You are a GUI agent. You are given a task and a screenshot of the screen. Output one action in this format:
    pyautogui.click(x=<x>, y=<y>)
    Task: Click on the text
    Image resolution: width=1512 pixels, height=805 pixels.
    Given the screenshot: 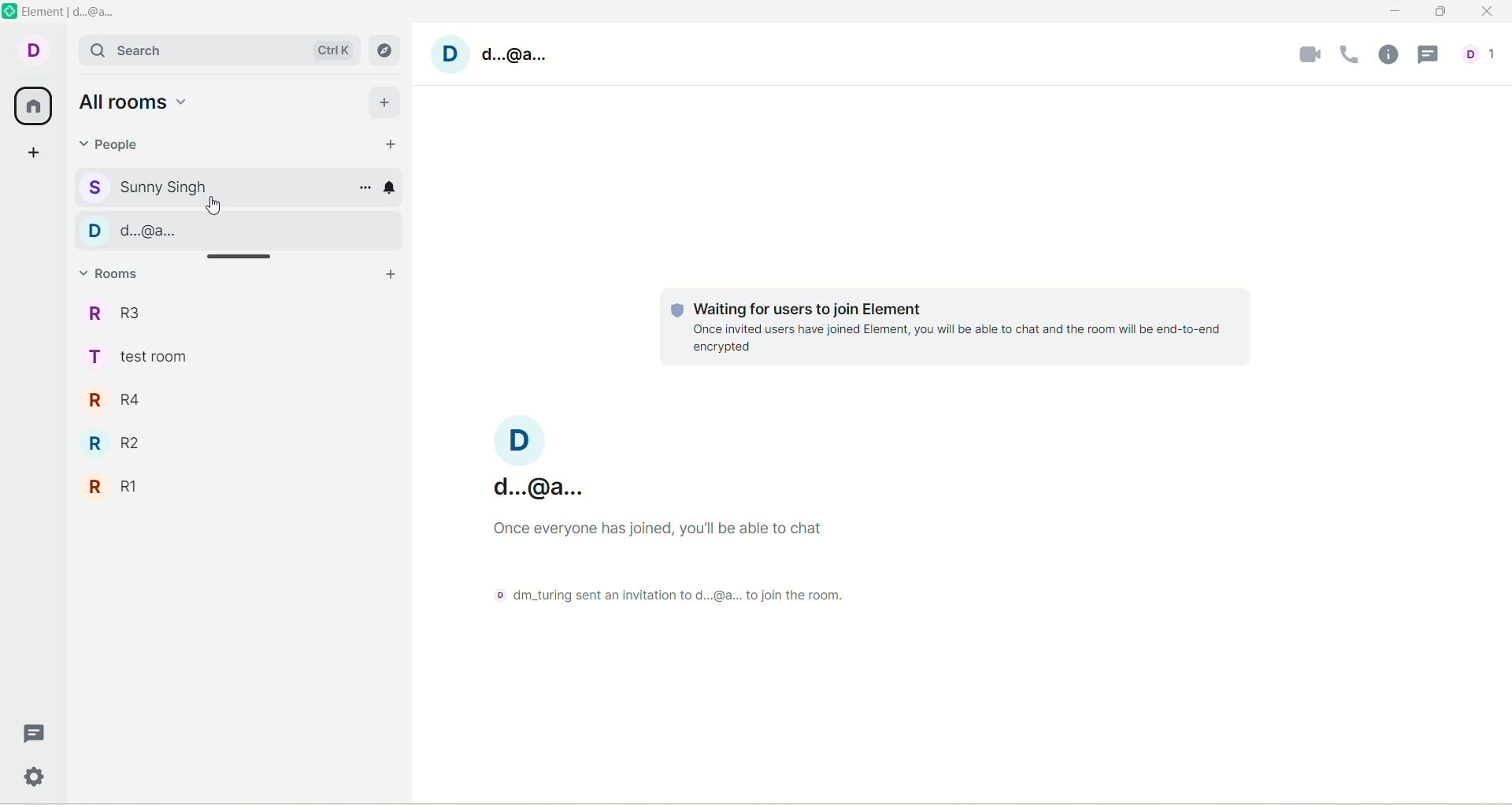 What is the action you would take?
    pyautogui.click(x=957, y=327)
    